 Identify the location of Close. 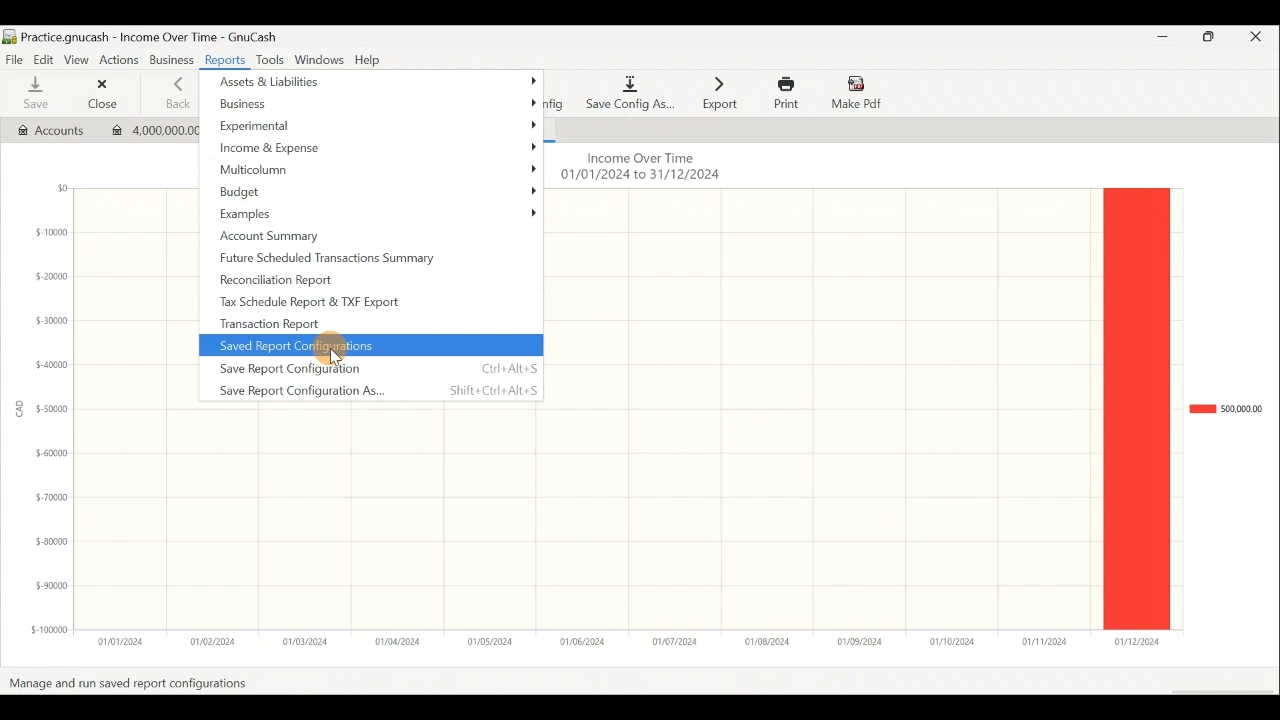
(98, 96).